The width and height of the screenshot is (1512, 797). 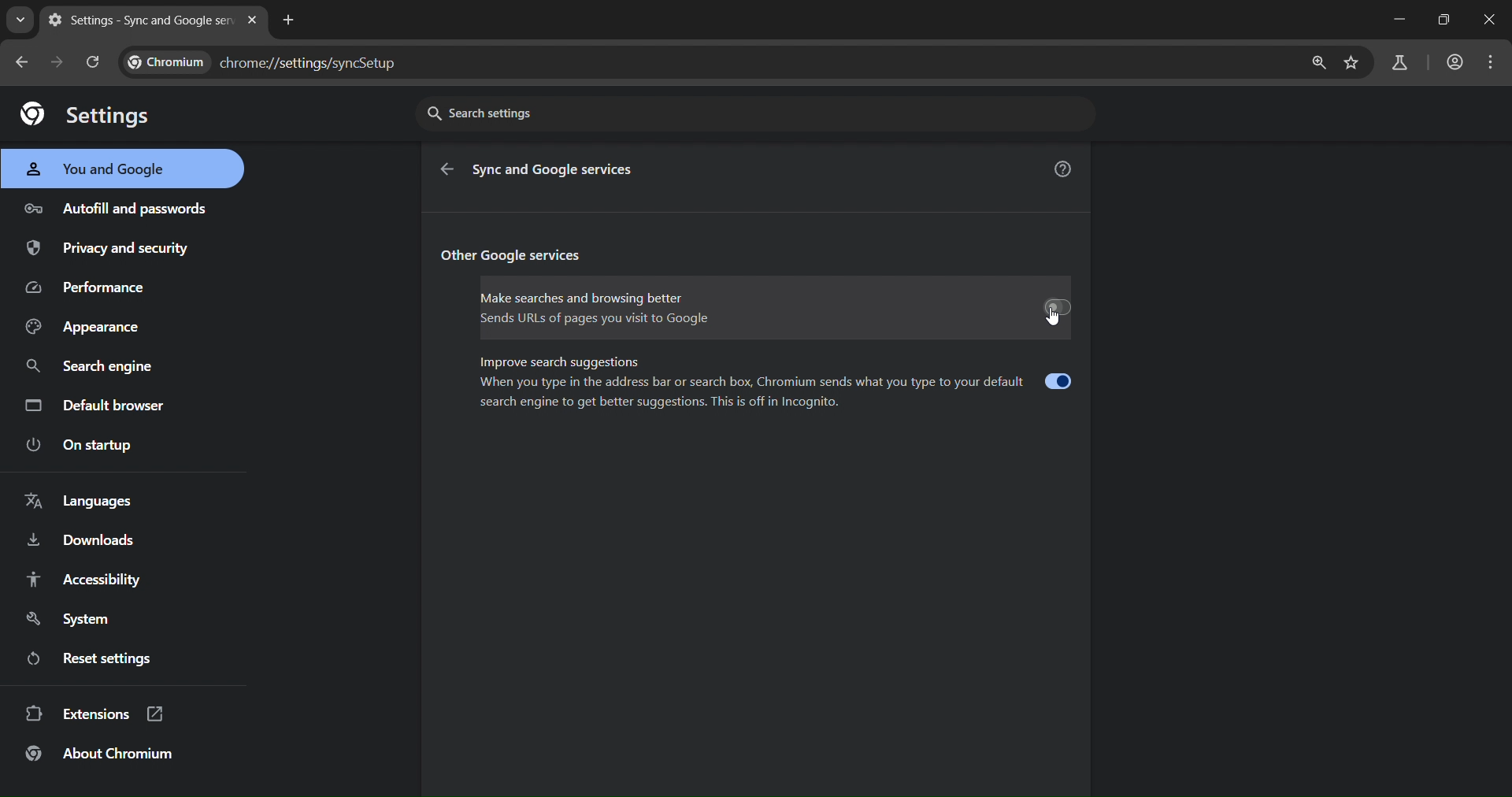 What do you see at coordinates (777, 384) in the screenshot?
I see `Improve search suggestions
When you type in the address bar or search box, Chromium sends what you type to your default
search engine to get better suggestions. This is off in Incognito.` at bounding box center [777, 384].